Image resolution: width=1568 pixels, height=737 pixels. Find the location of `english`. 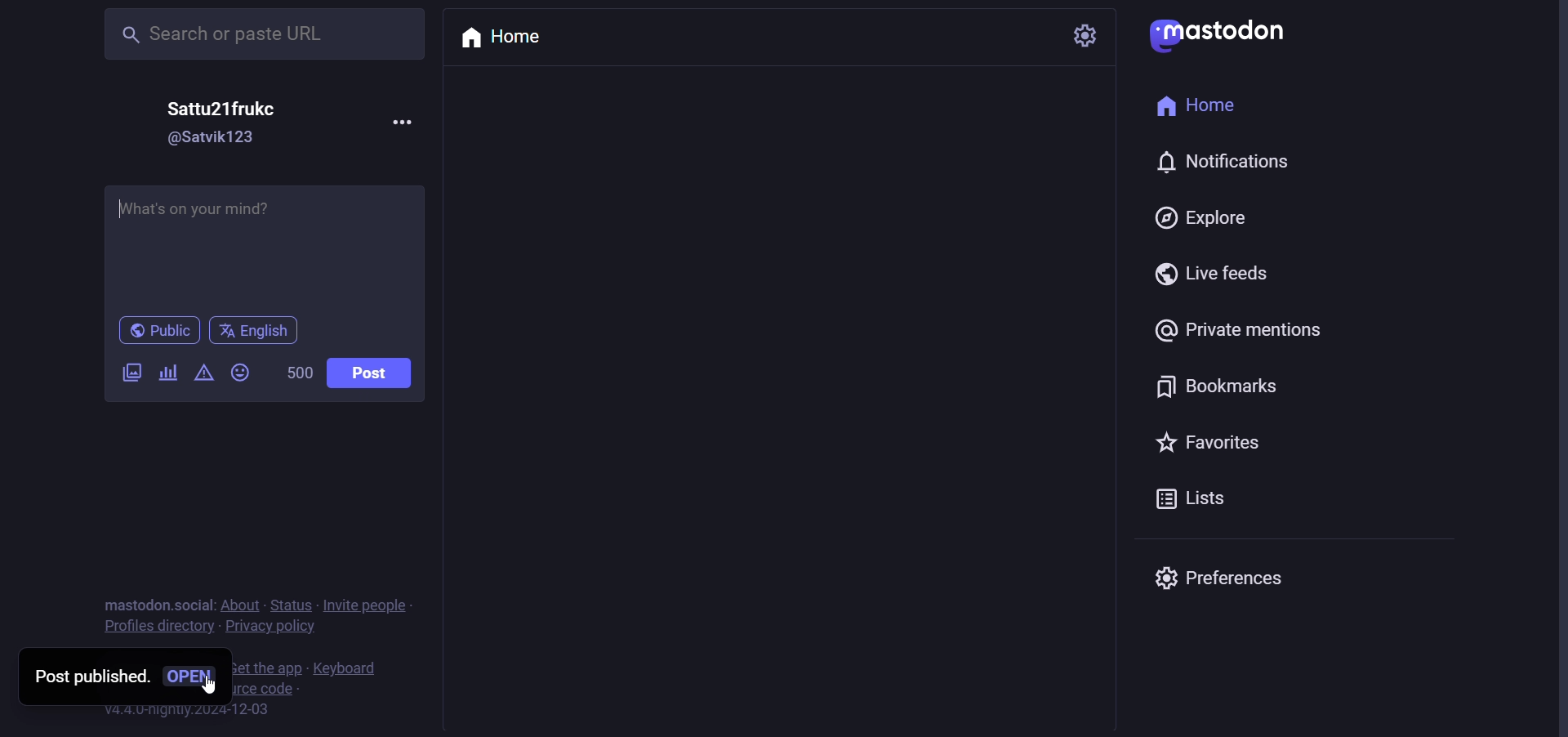

english is located at coordinates (257, 333).